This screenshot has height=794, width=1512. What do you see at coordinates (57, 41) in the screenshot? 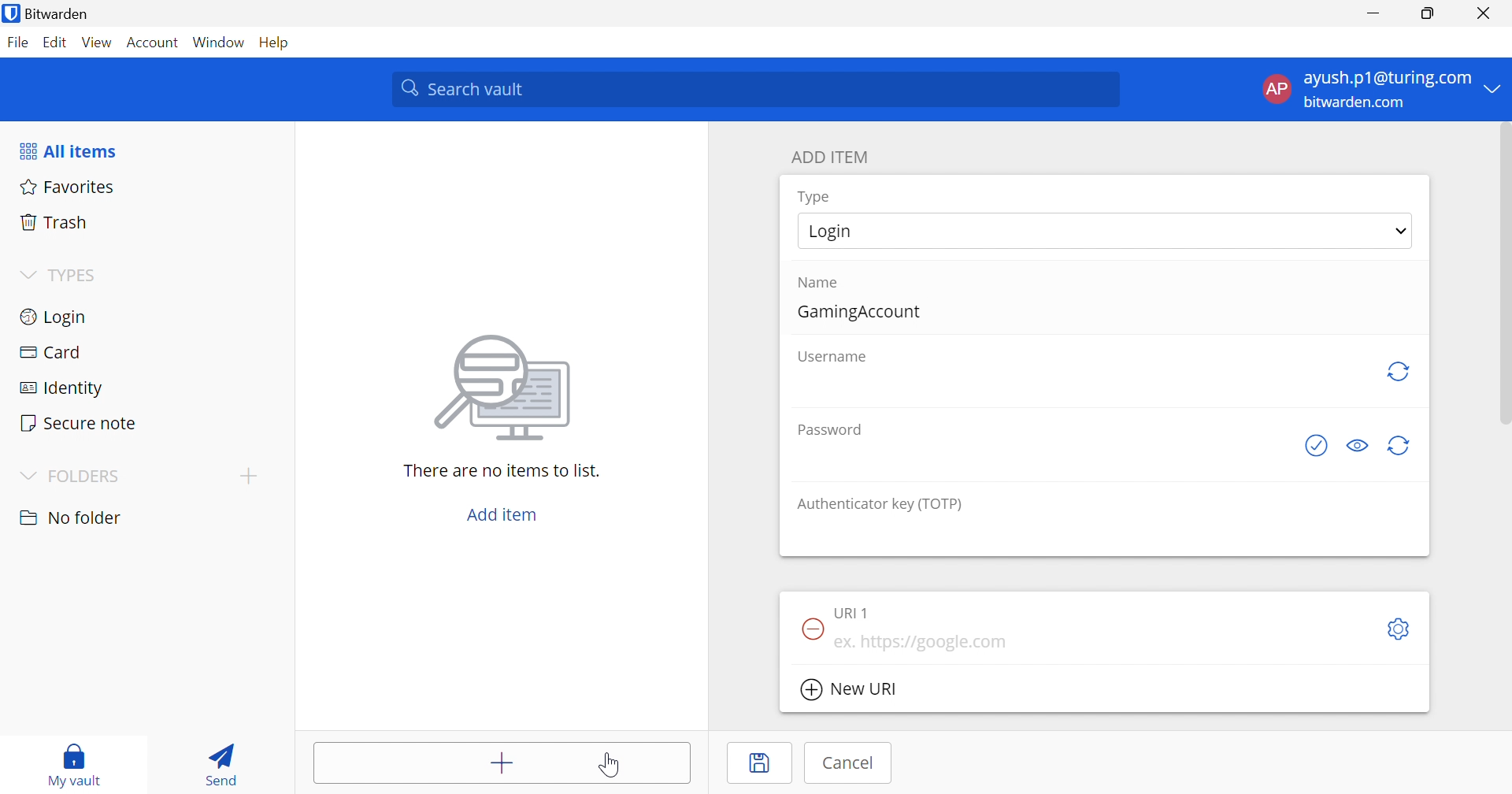
I see `Edit` at bounding box center [57, 41].